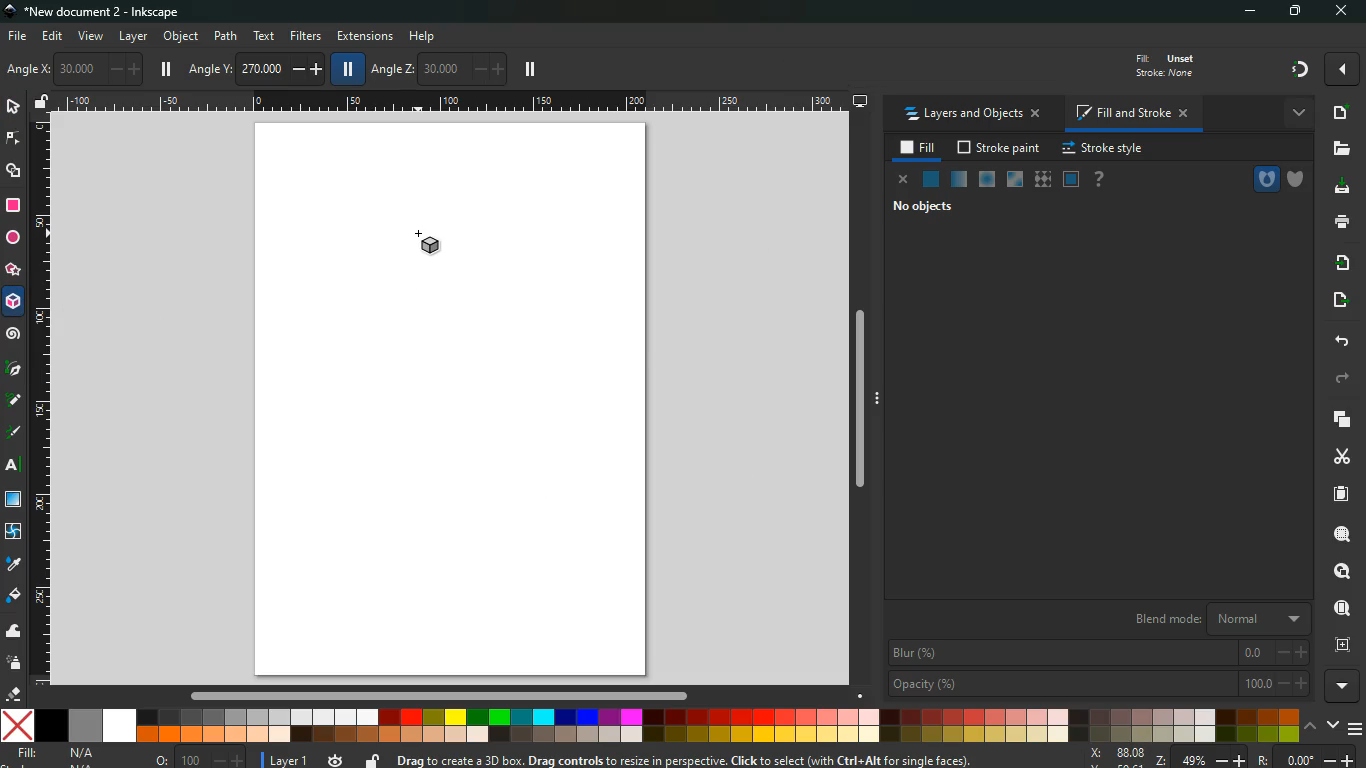 The image size is (1366, 768). What do you see at coordinates (1337, 262) in the screenshot?
I see `receive` at bounding box center [1337, 262].